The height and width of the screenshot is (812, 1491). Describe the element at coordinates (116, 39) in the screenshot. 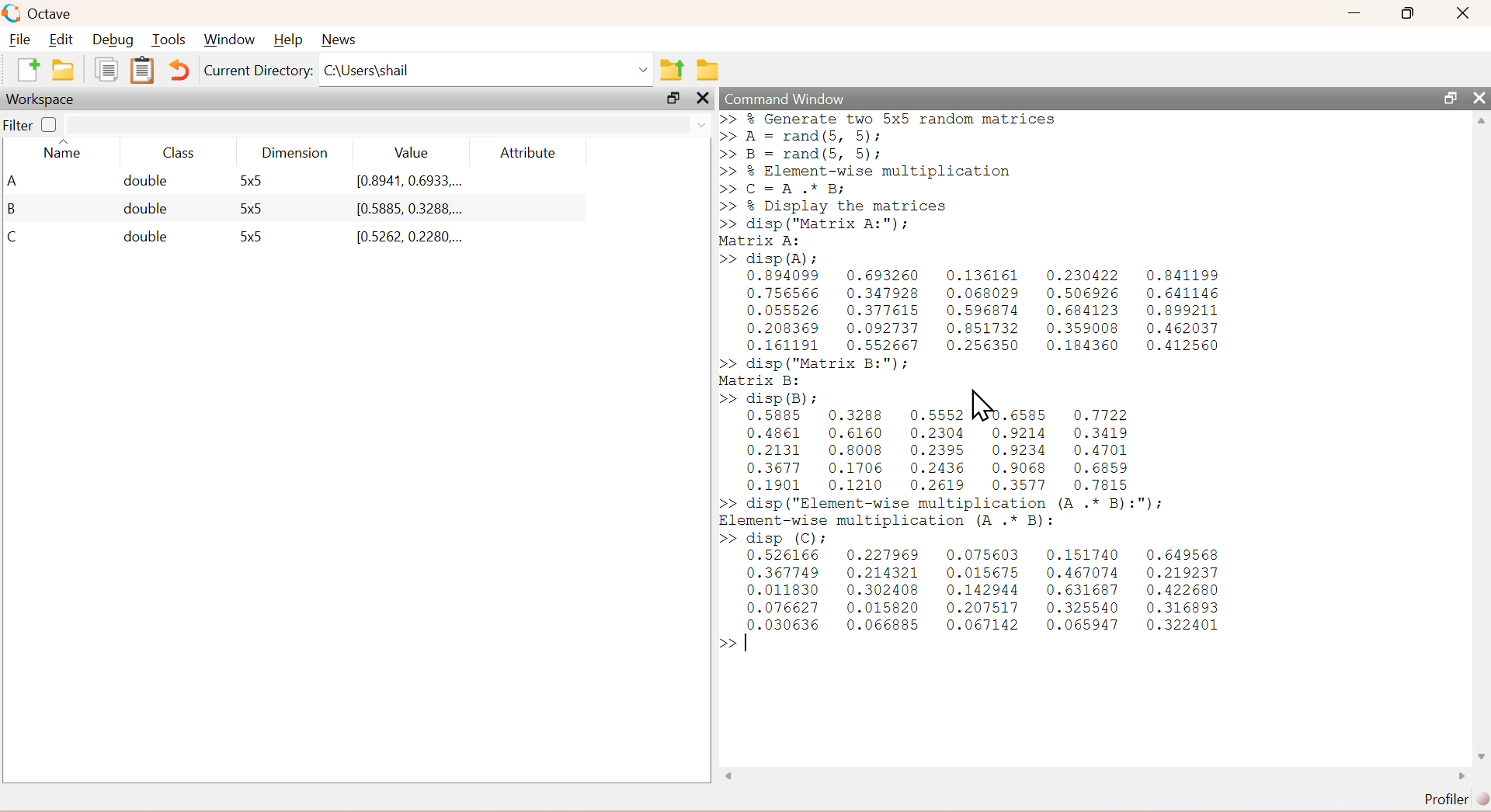

I see `Debug` at that location.